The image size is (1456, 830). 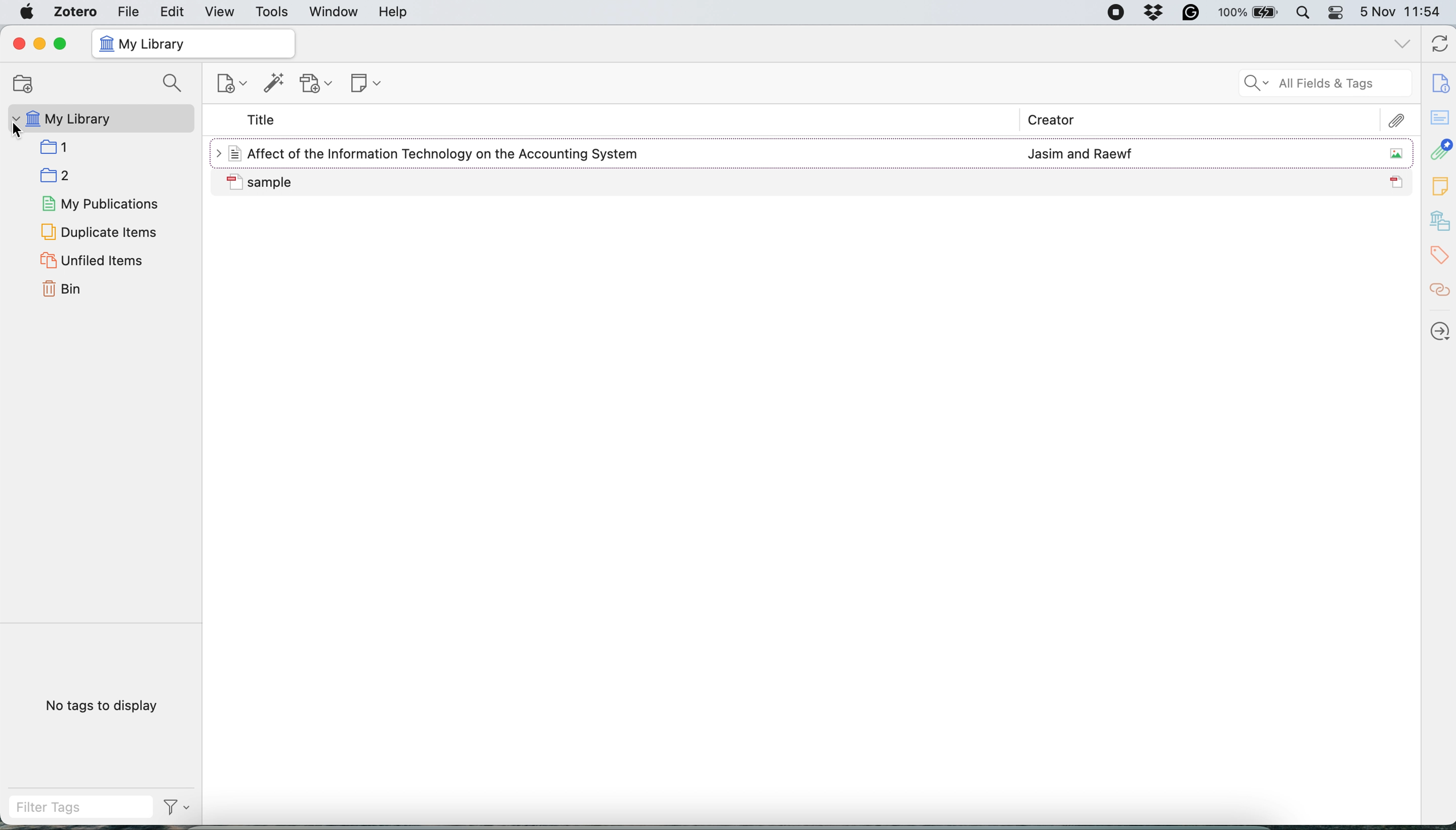 What do you see at coordinates (334, 12) in the screenshot?
I see `window` at bounding box center [334, 12].